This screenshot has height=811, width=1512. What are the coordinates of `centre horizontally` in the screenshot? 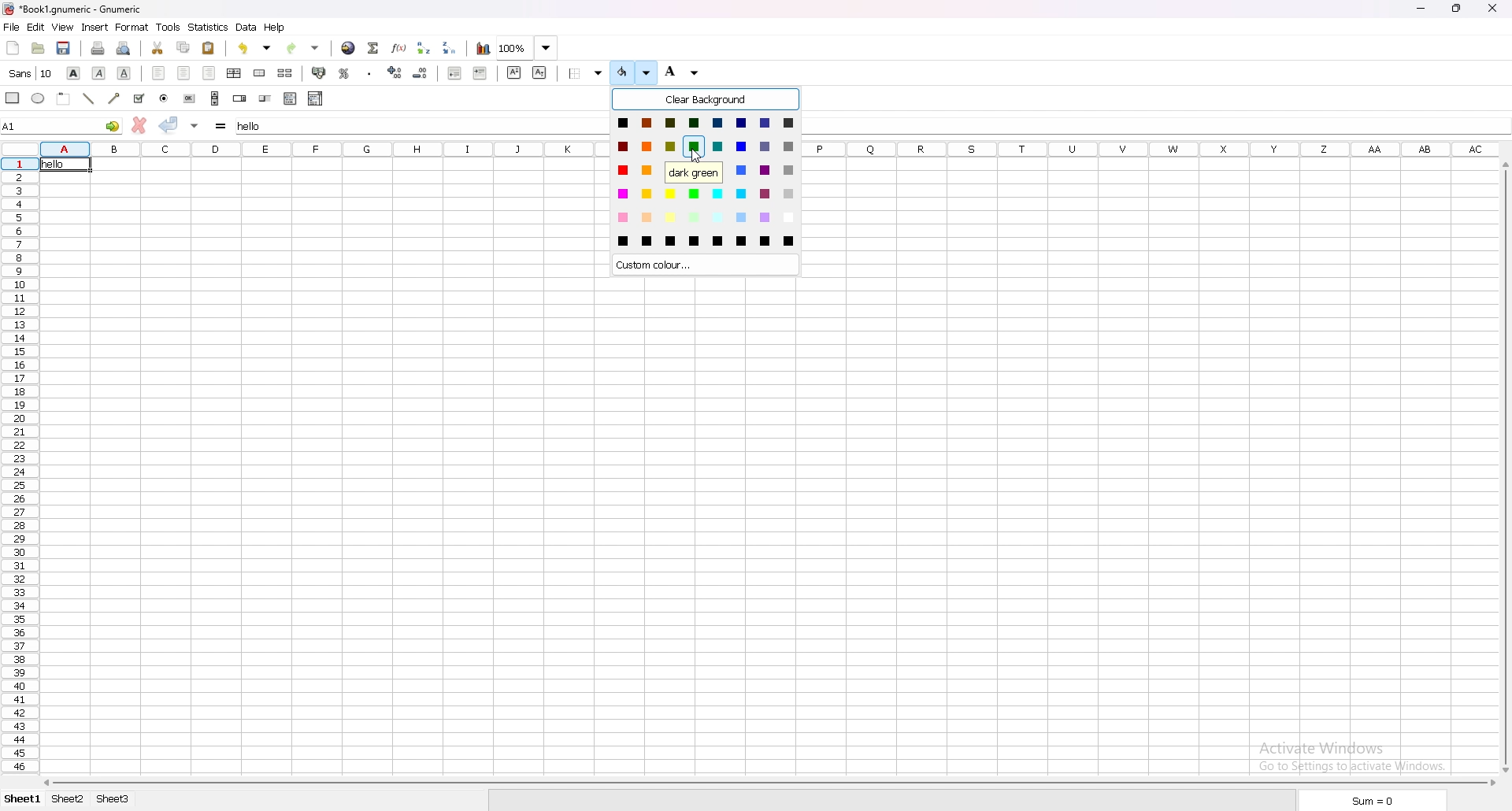 It's located at (235, 72).